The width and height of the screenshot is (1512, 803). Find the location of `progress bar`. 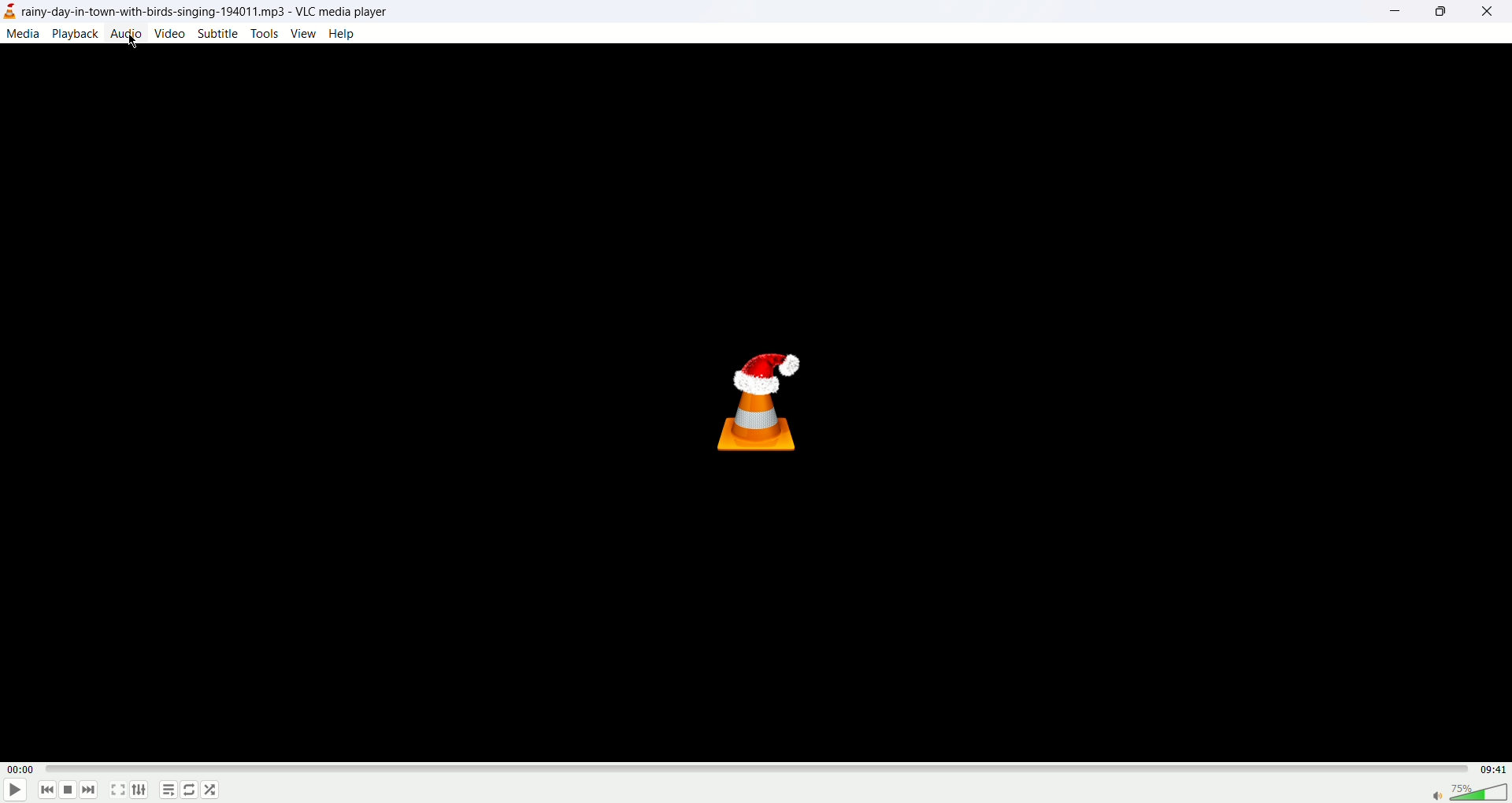

progress bar is located at coordinates (753, 772).